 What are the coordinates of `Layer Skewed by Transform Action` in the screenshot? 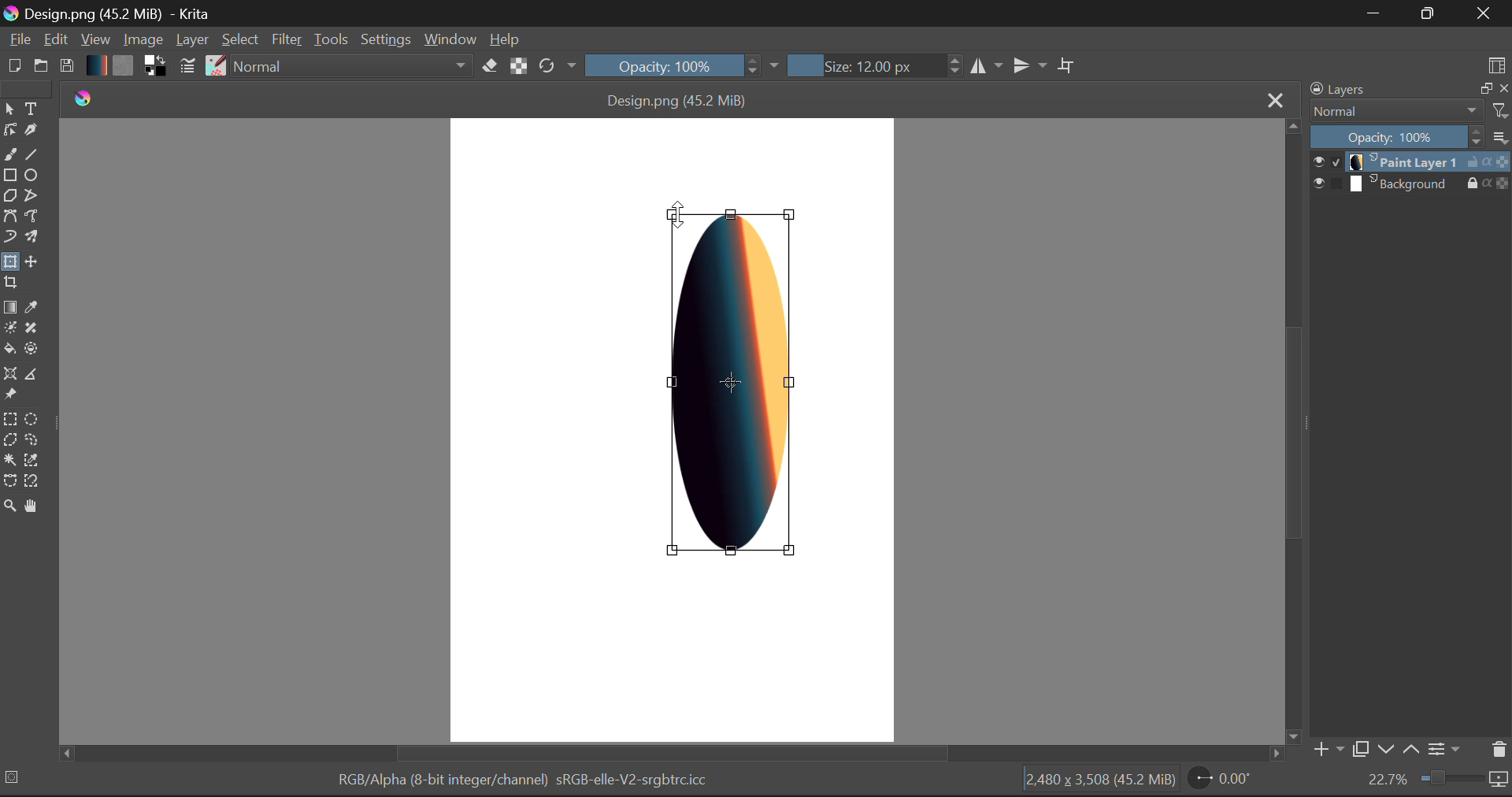 It's located at (734, 383).